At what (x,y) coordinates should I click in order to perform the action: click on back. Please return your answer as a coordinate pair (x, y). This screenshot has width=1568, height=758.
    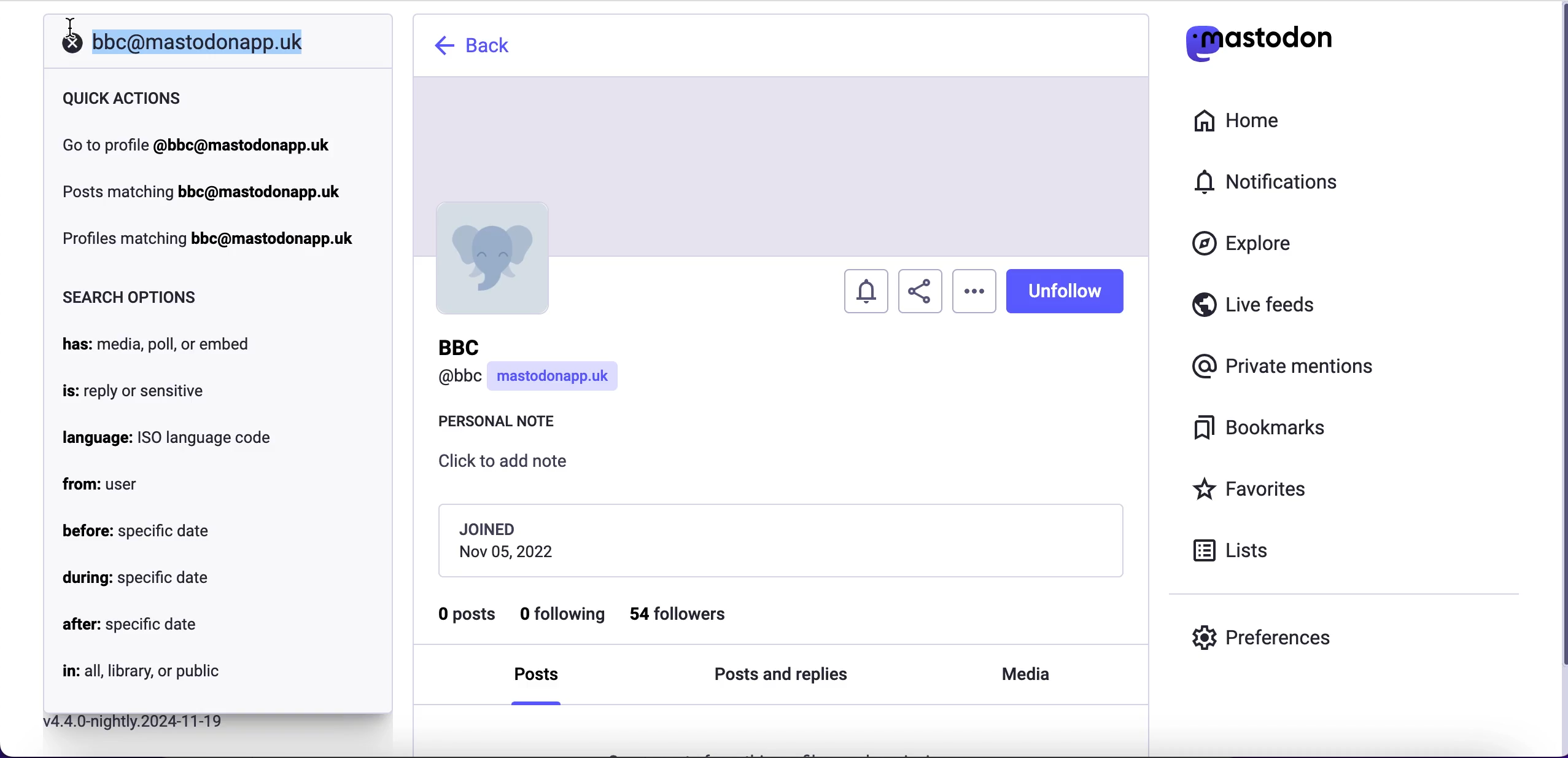
    Looking at the image, I should click on (475, 45).